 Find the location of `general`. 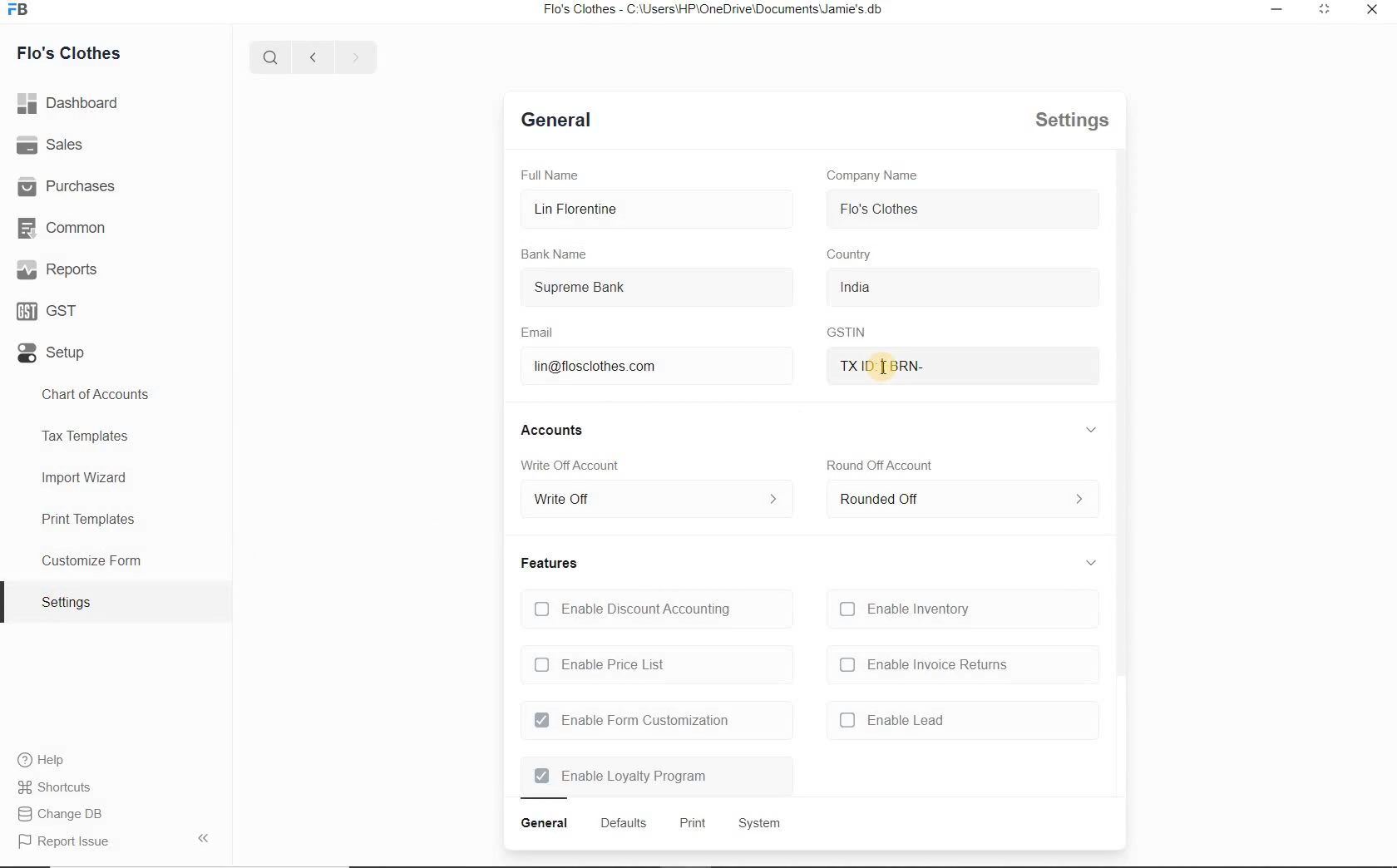

general is located at coordinates (545, 824).